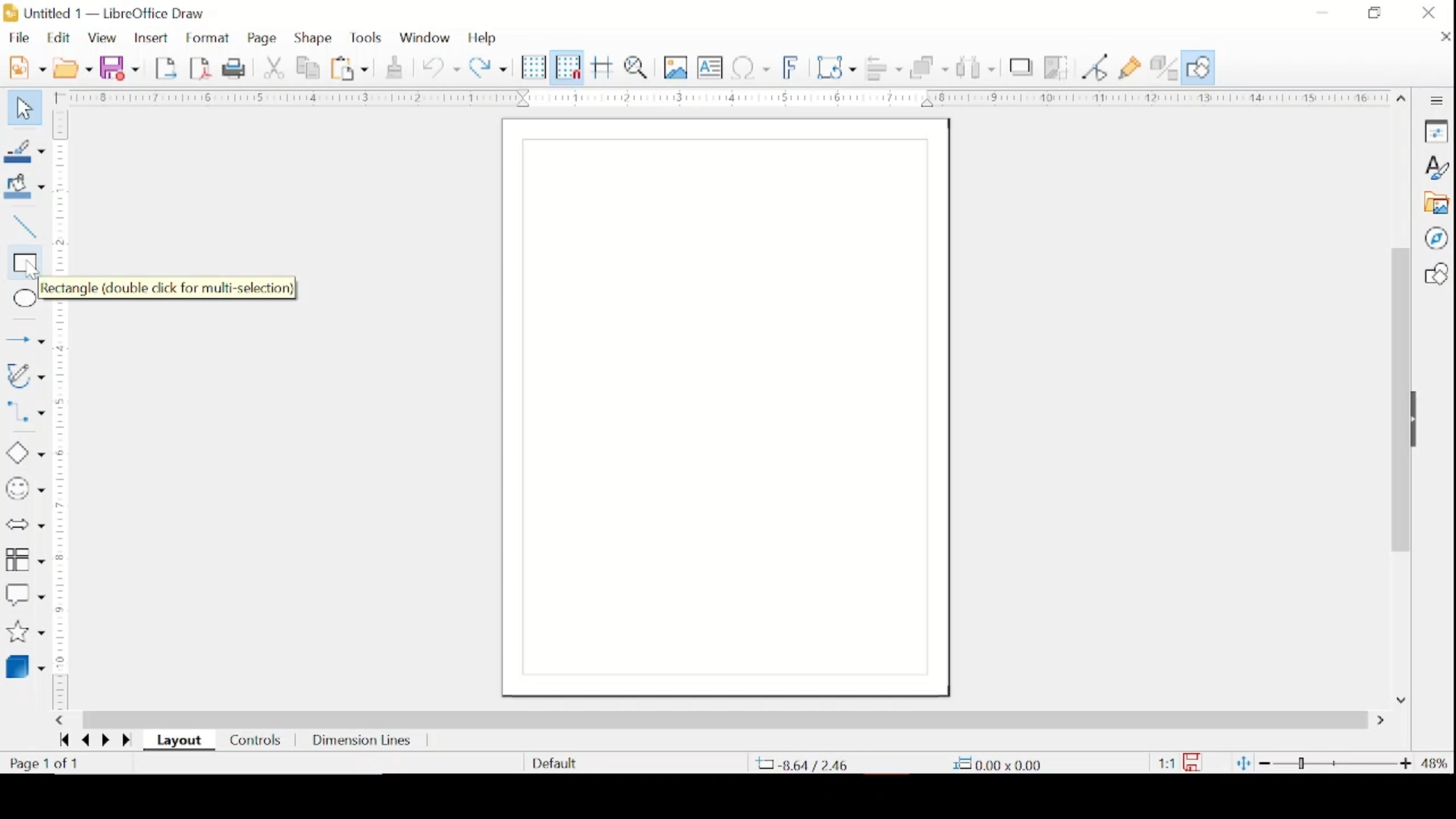  What do you see at coordinates (1436, 130) in the screenshot?
I see `properties` at bounding box center [1436, 130].